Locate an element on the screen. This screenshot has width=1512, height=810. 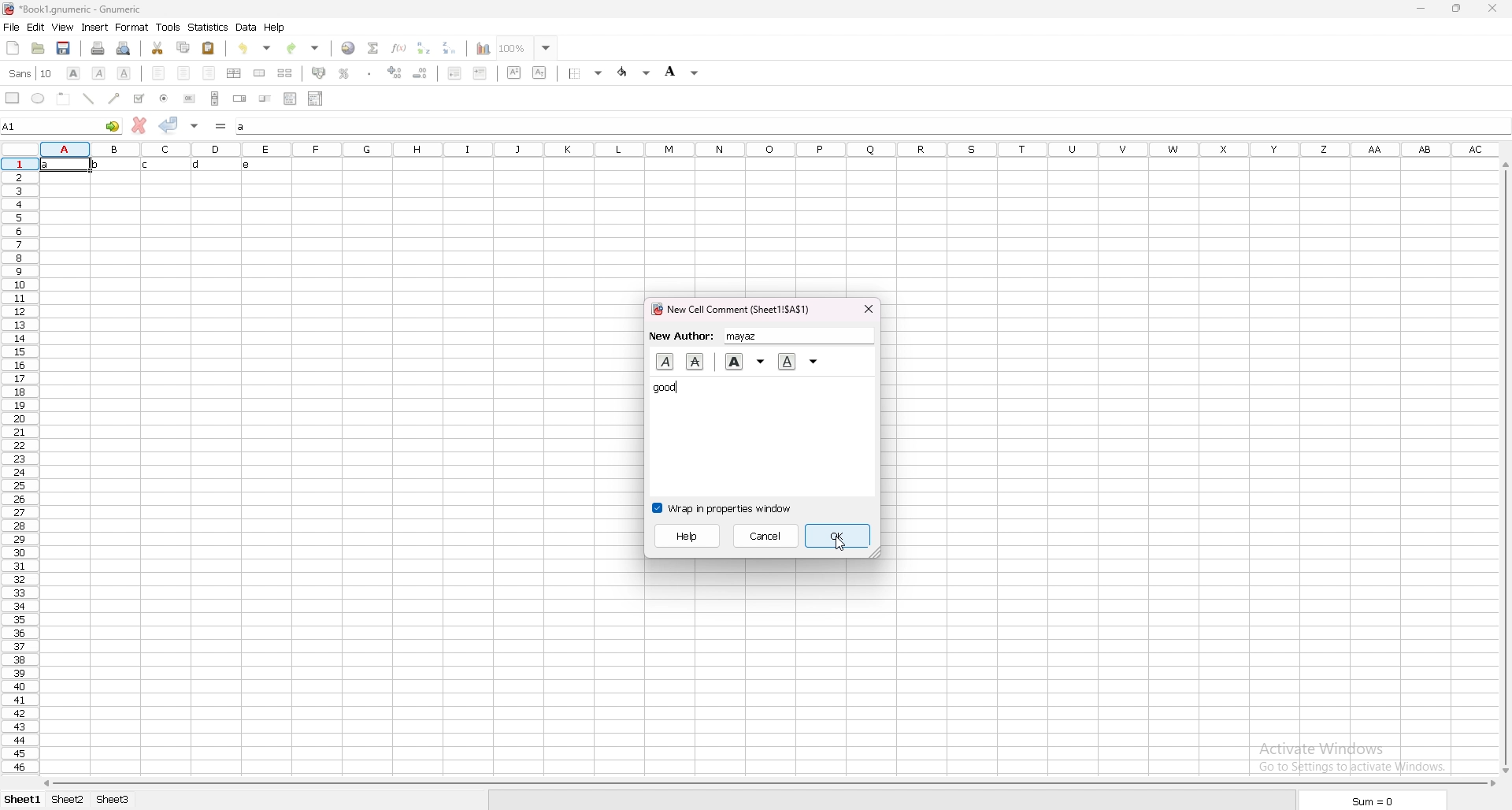
ok is located at coordinates (839, 535).